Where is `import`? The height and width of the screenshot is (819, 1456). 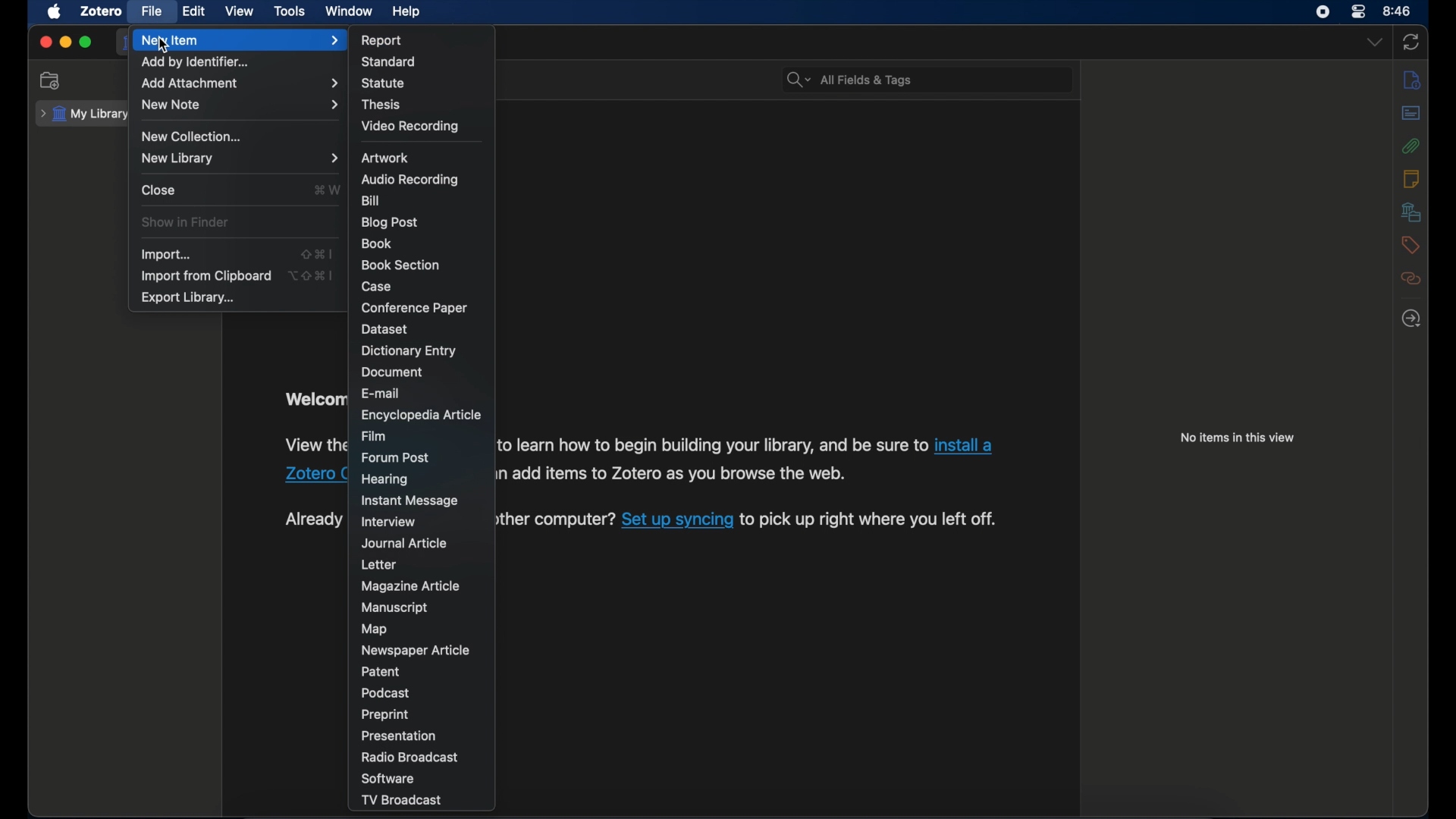
import is located at coordinates (165, 254).